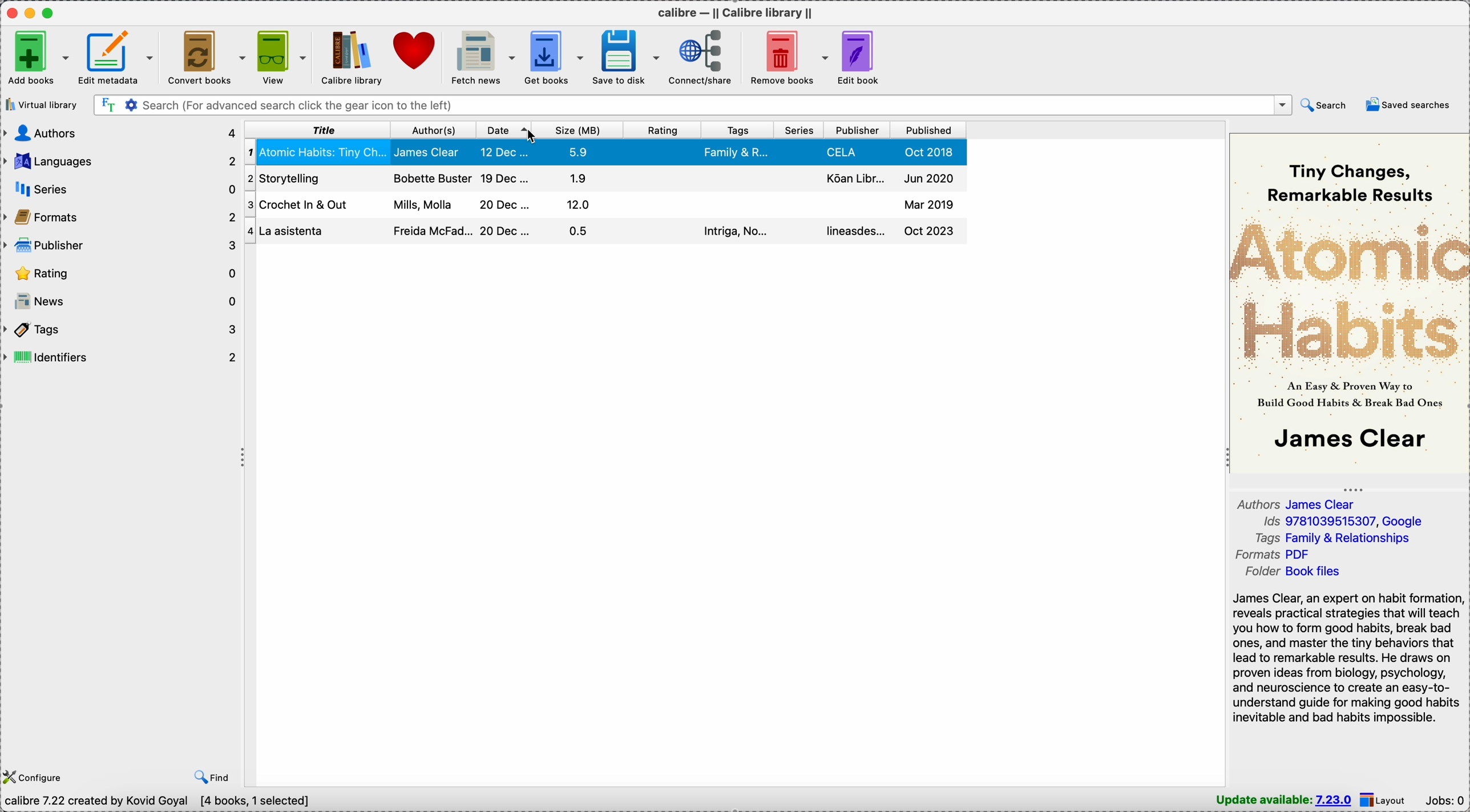  What do you see at coordinates (604, 232) in the screenshot?
I see `storytellig book details` at bounding box center [604, 232].